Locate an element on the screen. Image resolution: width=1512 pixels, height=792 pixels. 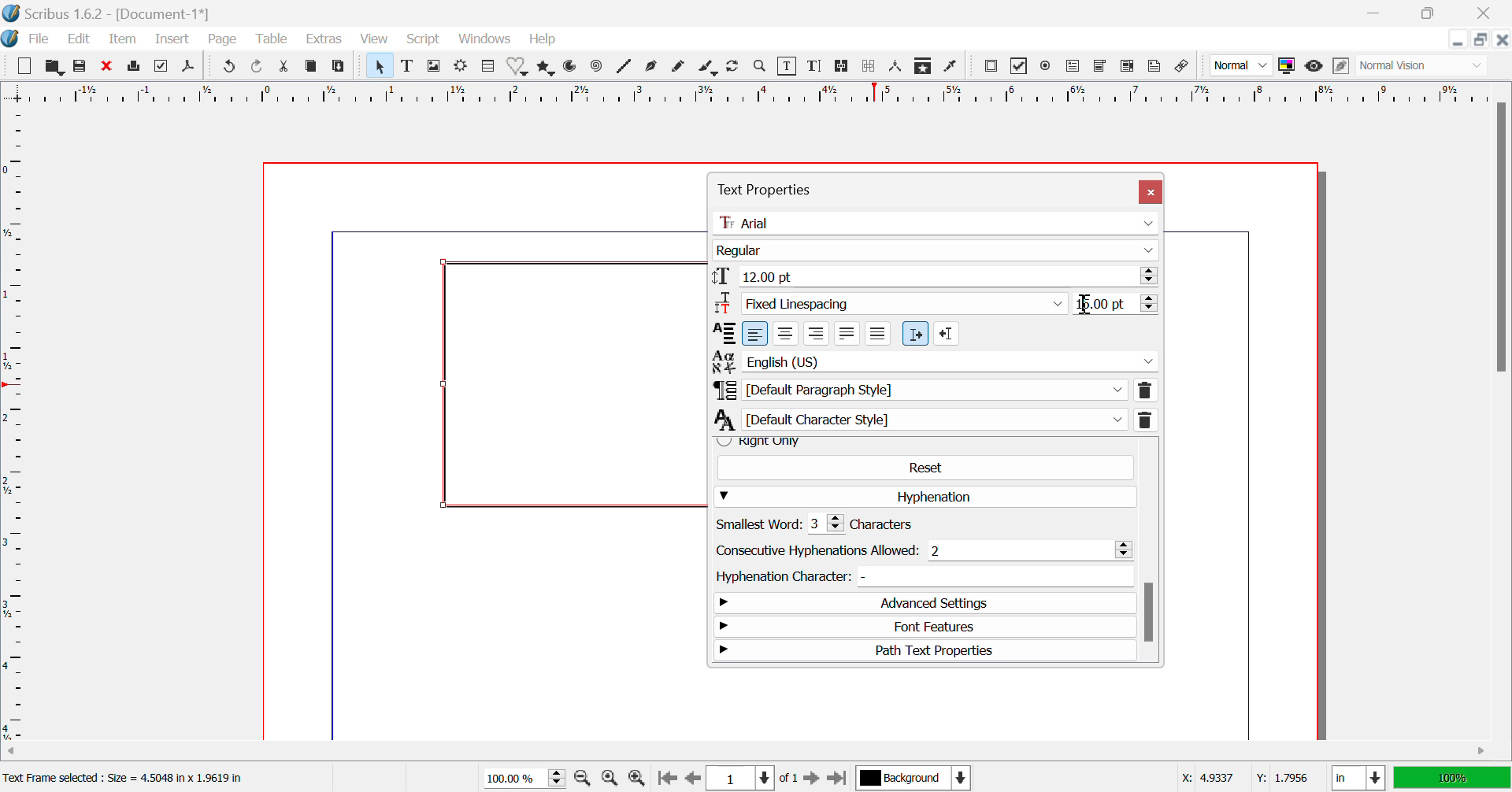
New is located at coordinates (24, 65).